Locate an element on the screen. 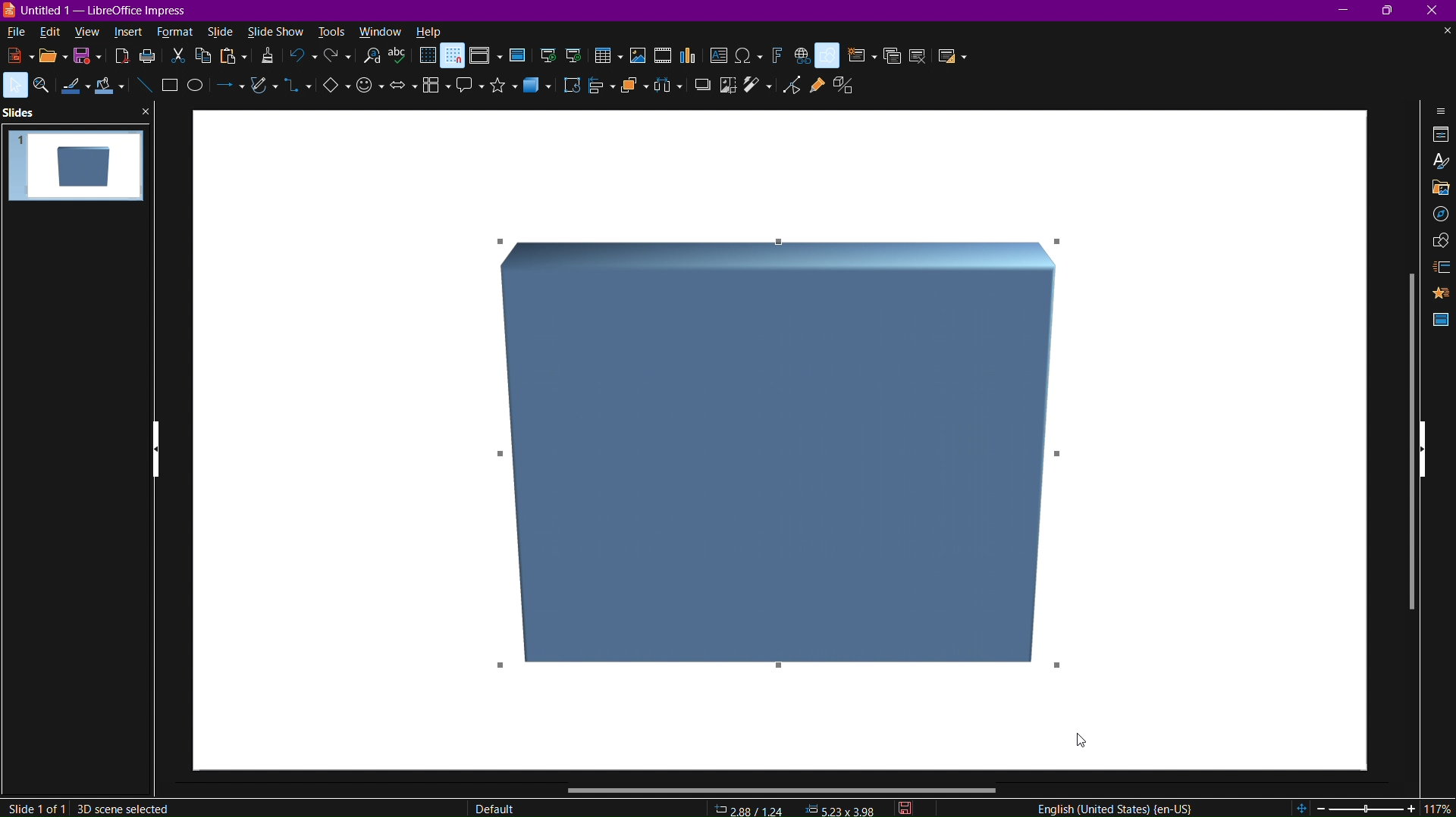 This screenshot has width=1456, height=817. Duplicate Slide is located at coordinates (891, 56).